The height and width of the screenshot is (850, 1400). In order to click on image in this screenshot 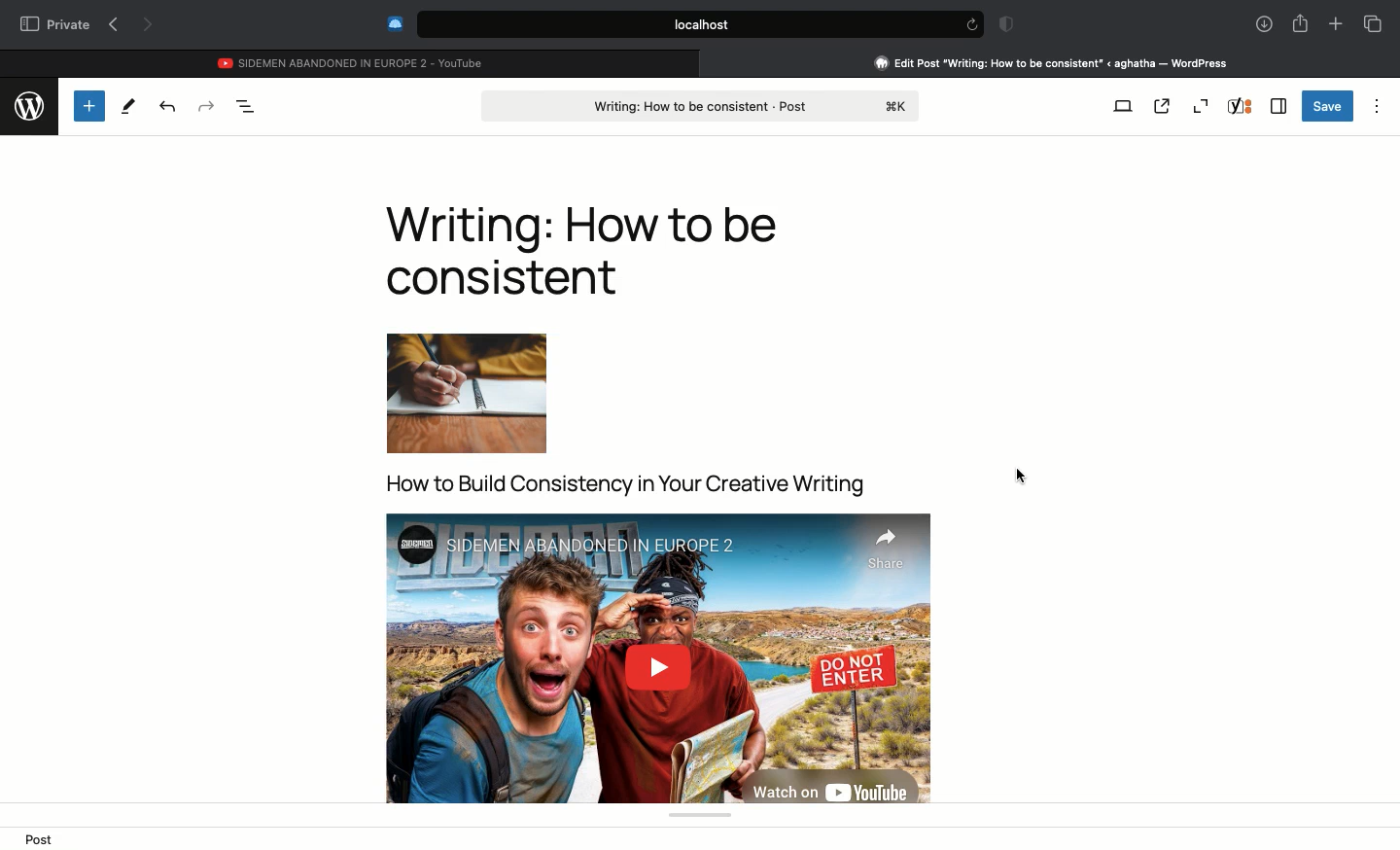, I will do `click(104, 839)`.